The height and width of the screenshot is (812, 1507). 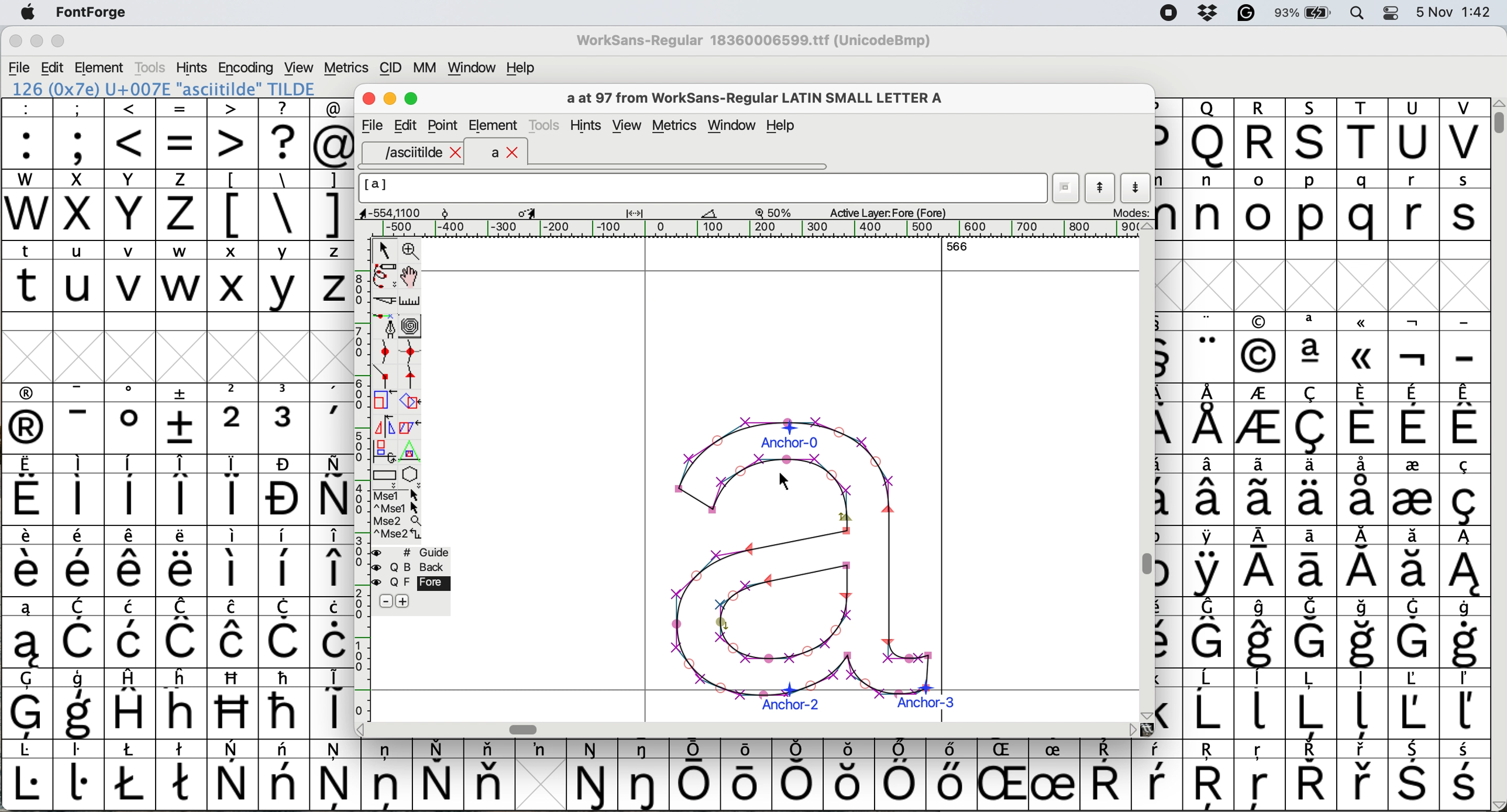 I want to click on symbol, so click(x=749, y=773).